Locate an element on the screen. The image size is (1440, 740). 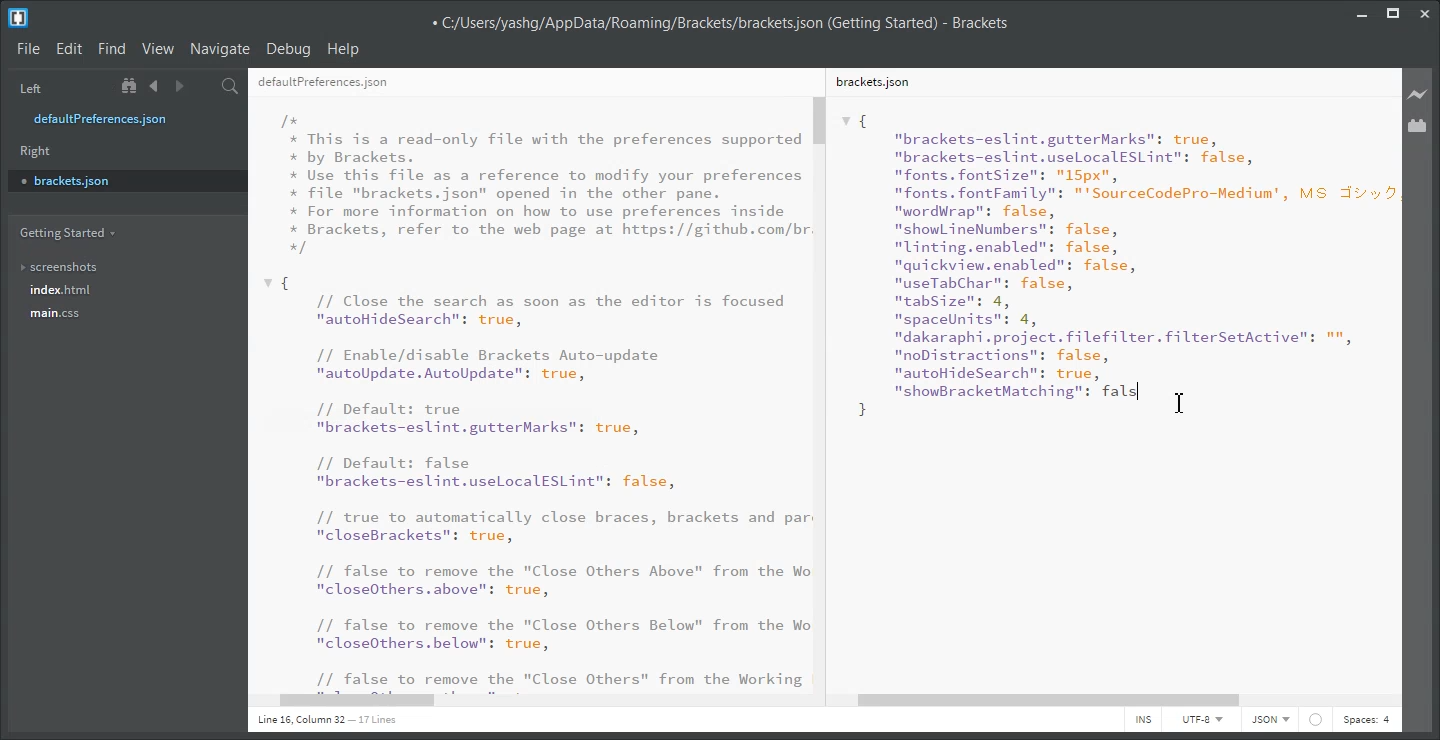
Horizontal Scroll Bar is located at coordinates (539, 702).